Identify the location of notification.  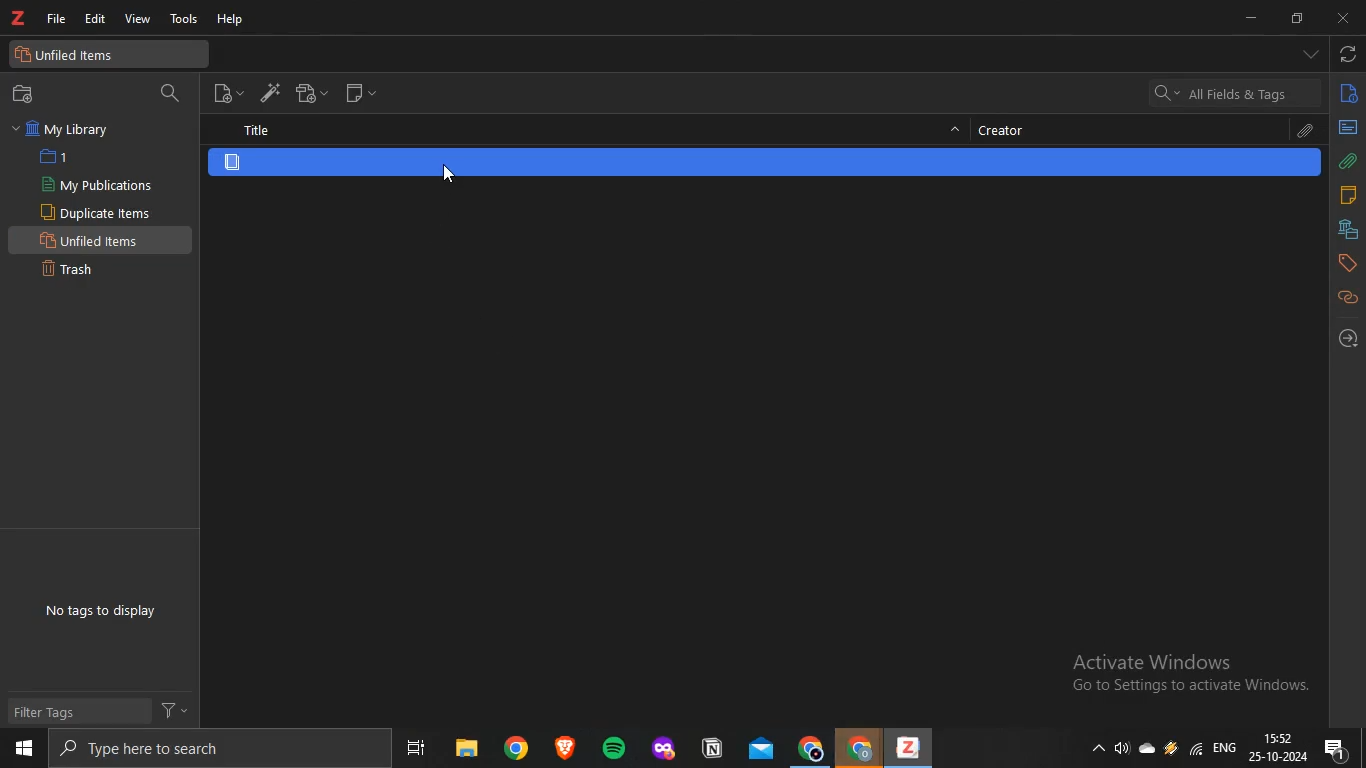
(1337, 748).